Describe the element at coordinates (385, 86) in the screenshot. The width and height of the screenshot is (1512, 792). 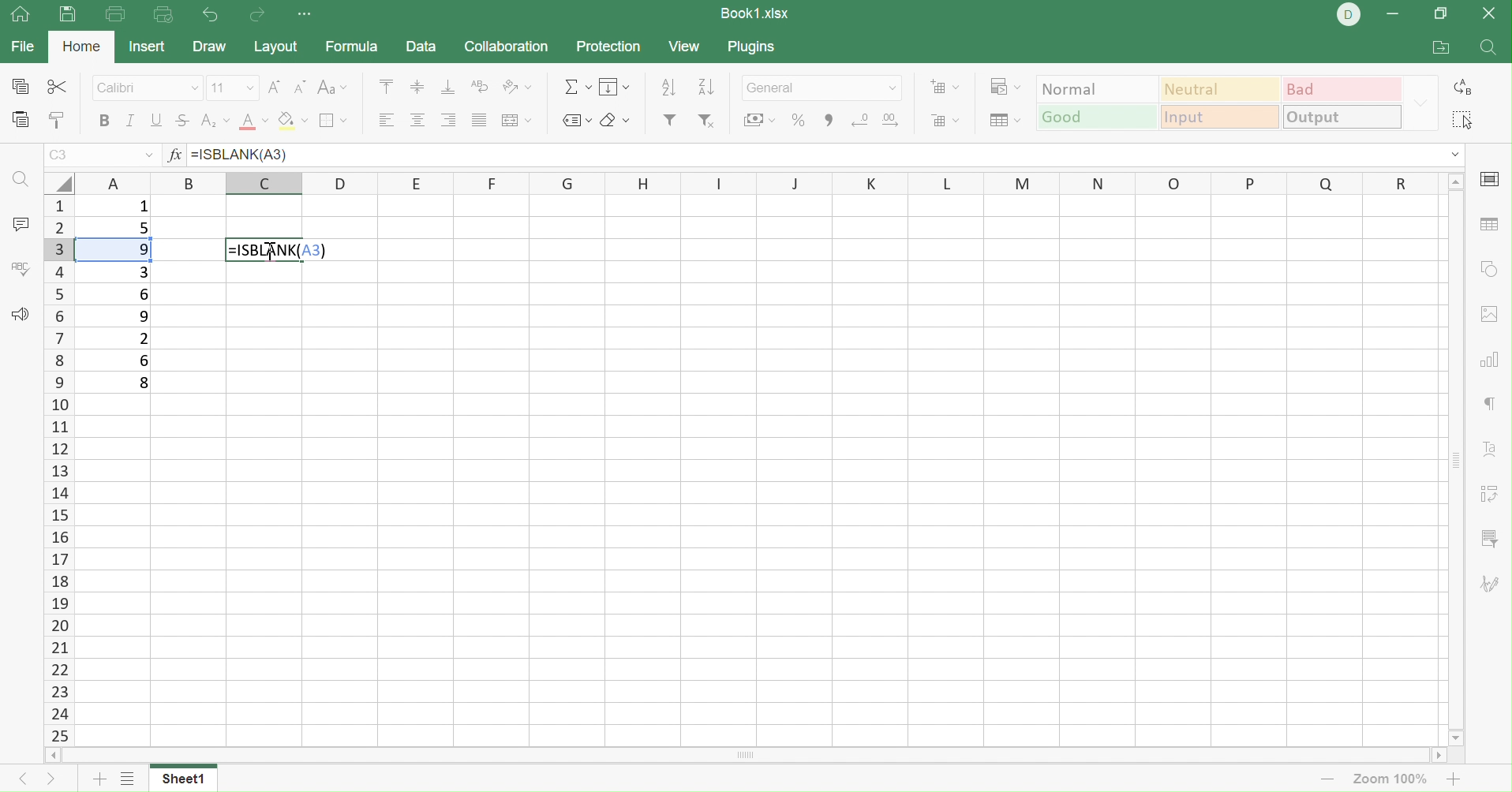
I see `Align top` at that location.